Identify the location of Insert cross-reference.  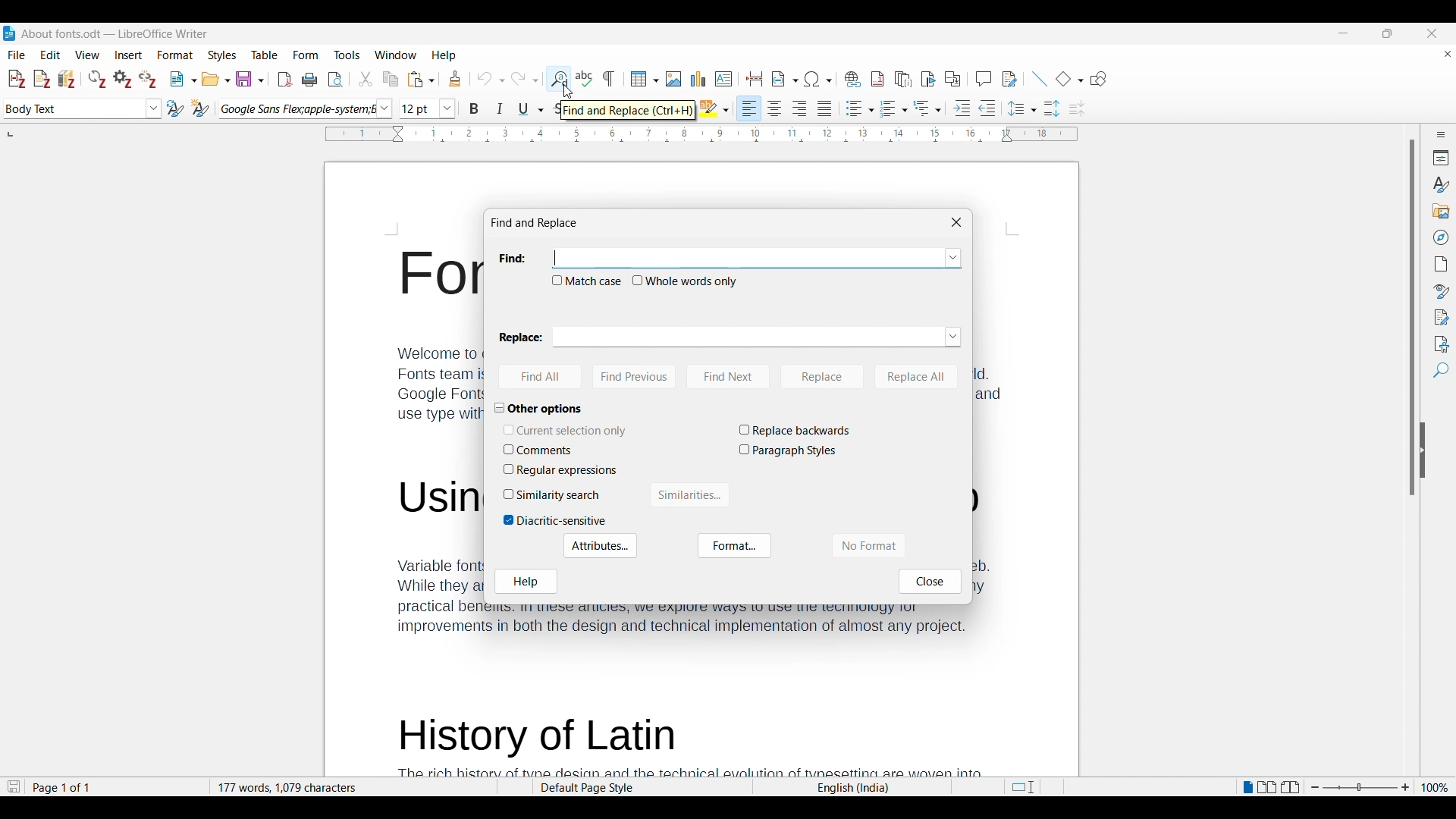
(952, 78).